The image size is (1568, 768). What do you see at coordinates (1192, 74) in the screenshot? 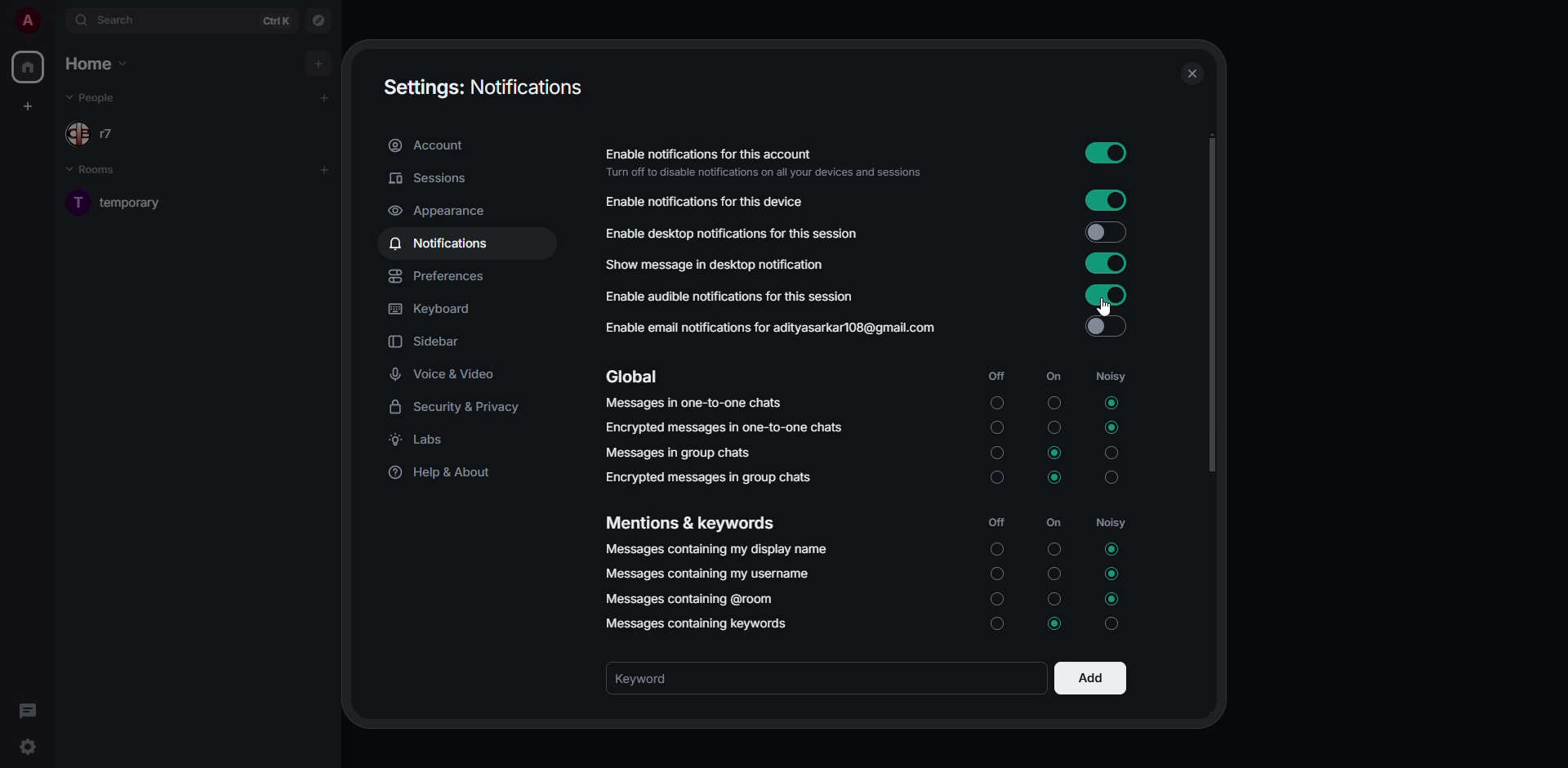
I see `close` at bounding box center [1192, 74].